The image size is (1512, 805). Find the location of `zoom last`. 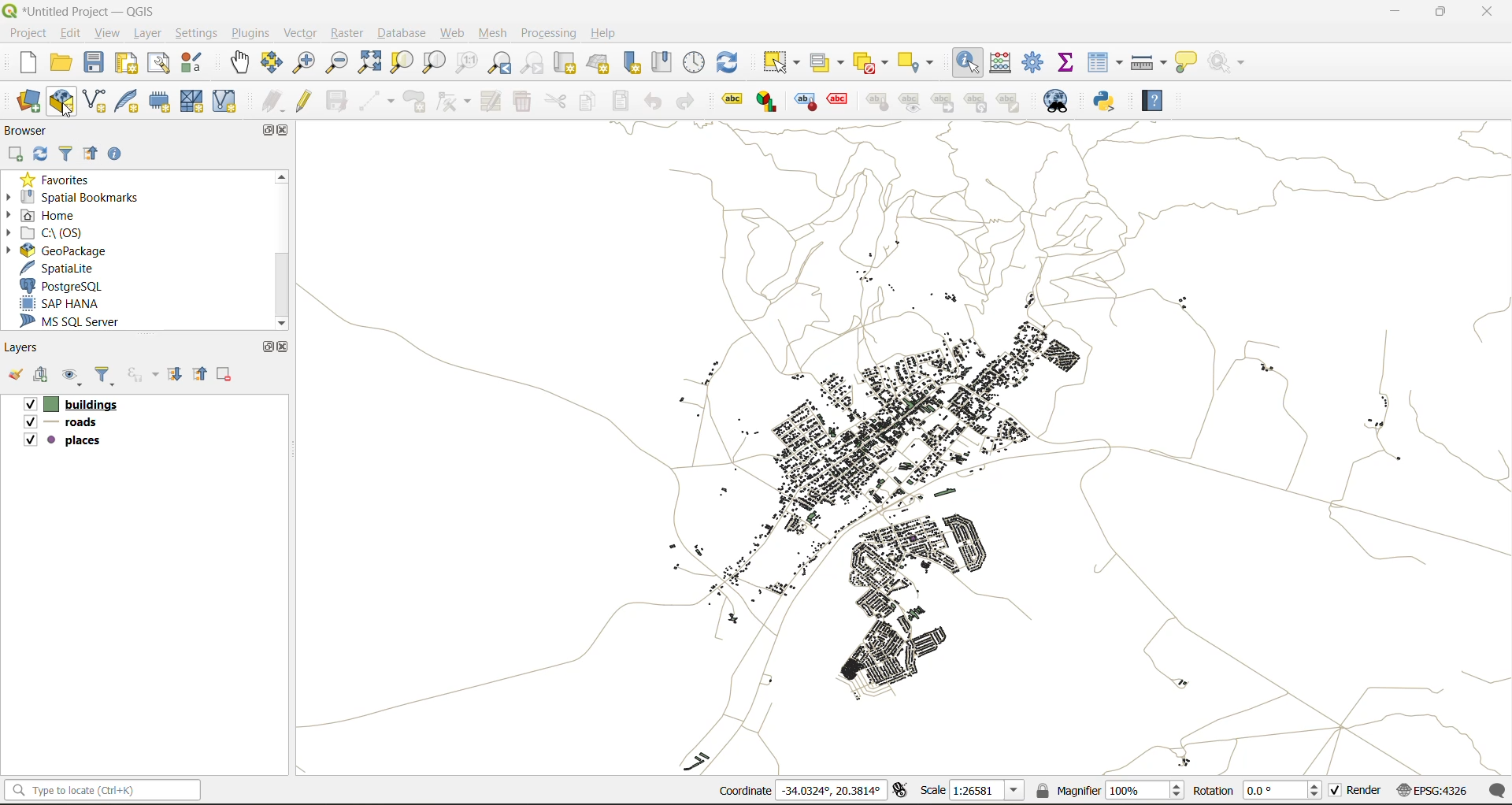

zoom last is located at coordinates (502, 64).